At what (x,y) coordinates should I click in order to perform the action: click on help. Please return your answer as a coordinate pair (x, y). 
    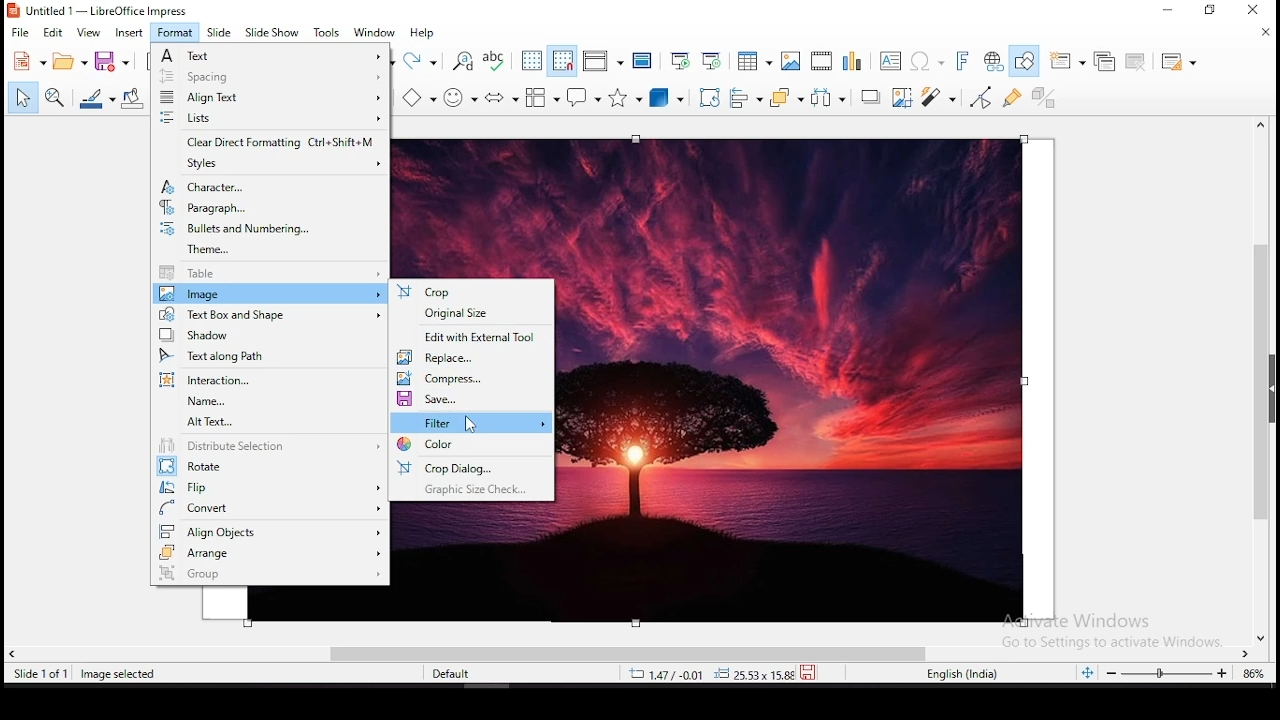
    Looking at the image, I should click on (425, 34).